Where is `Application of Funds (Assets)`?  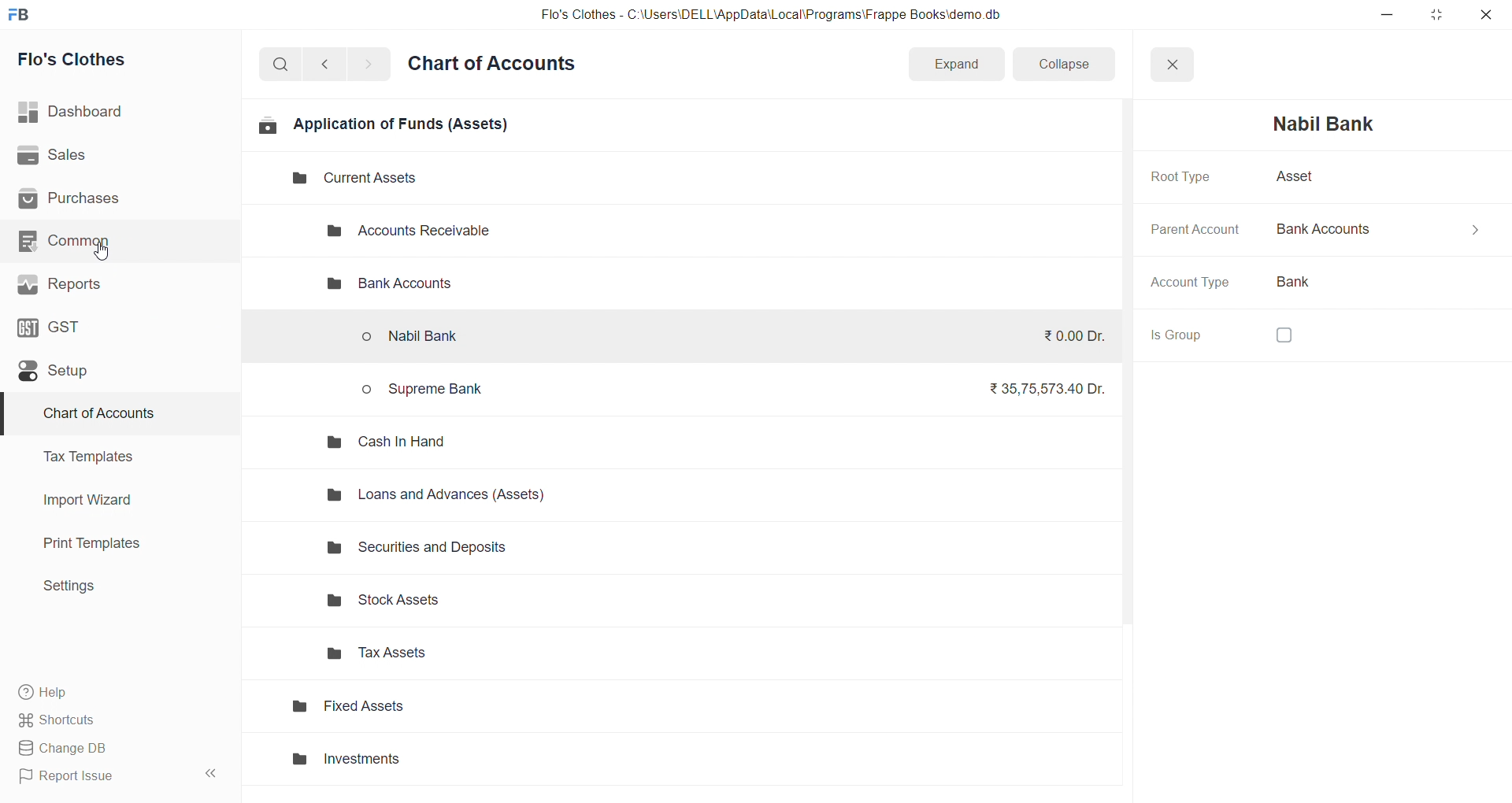
Application of Funds (Assets) is located at coordinates (384, 124).